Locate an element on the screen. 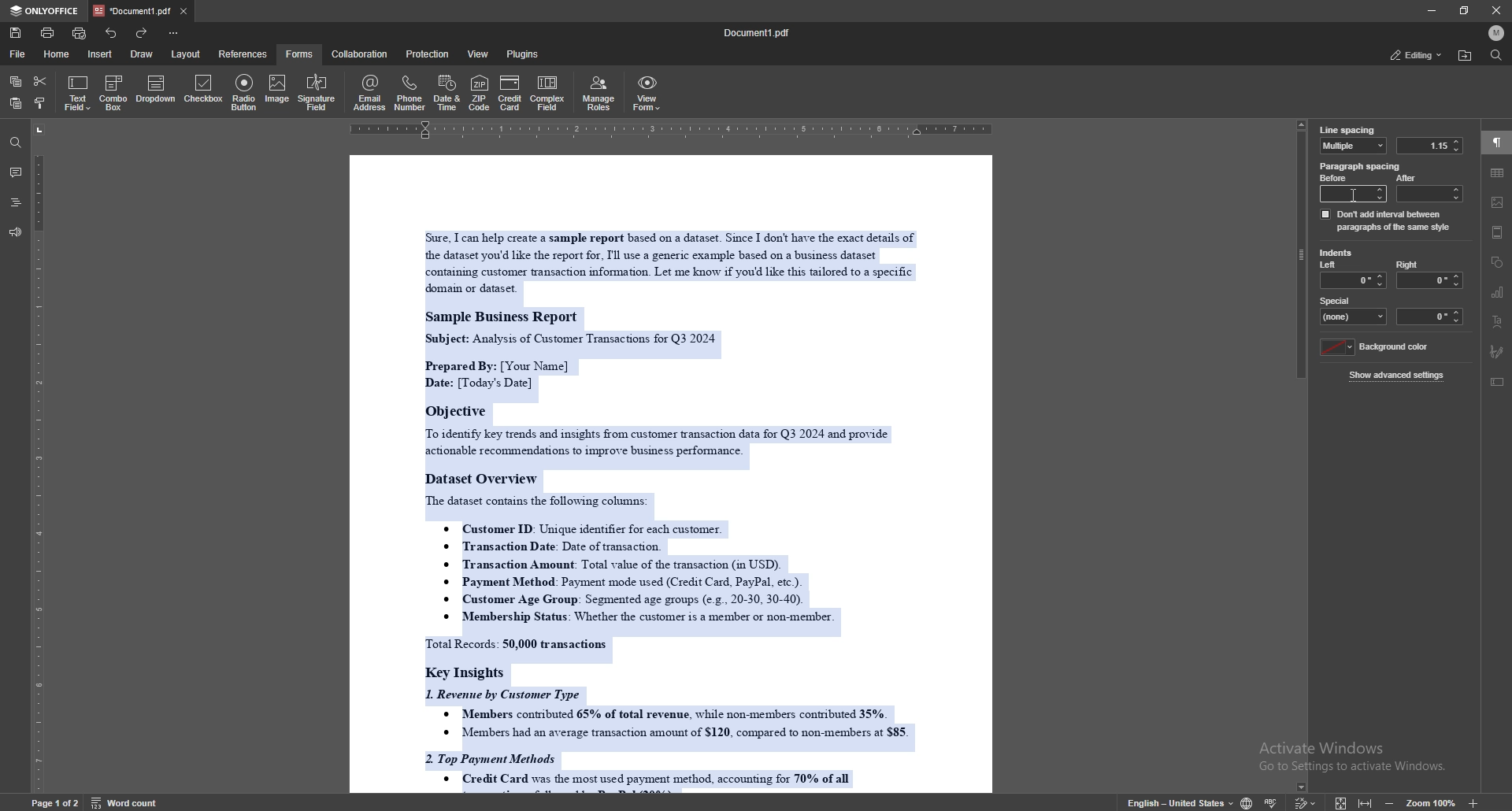 Image resolution: width=1512 pixels, height=811 pixels. table is located at coordinates (1498, 172).